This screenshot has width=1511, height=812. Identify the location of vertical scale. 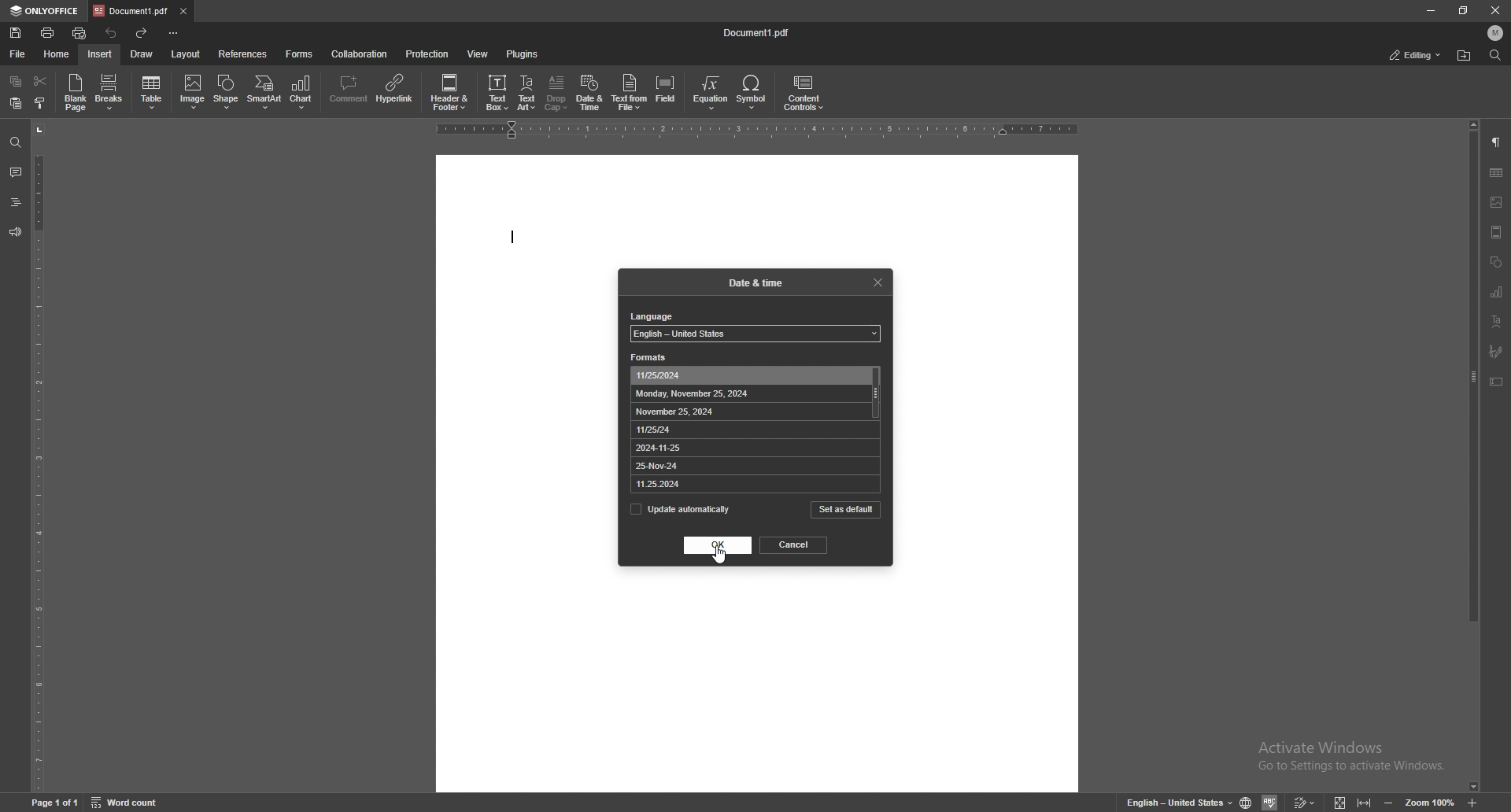
(41, 458).